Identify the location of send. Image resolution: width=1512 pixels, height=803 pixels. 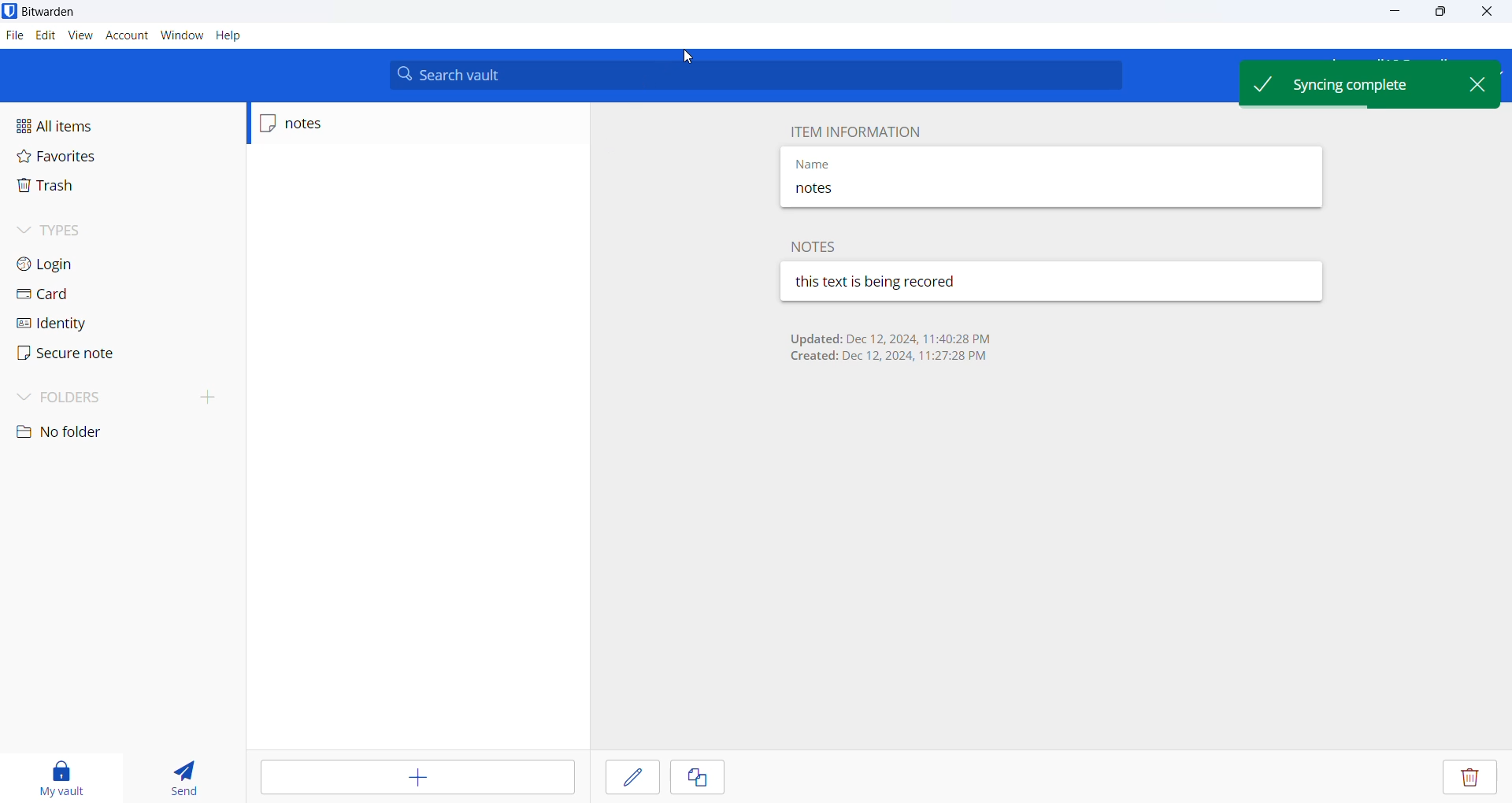
(179, 777).